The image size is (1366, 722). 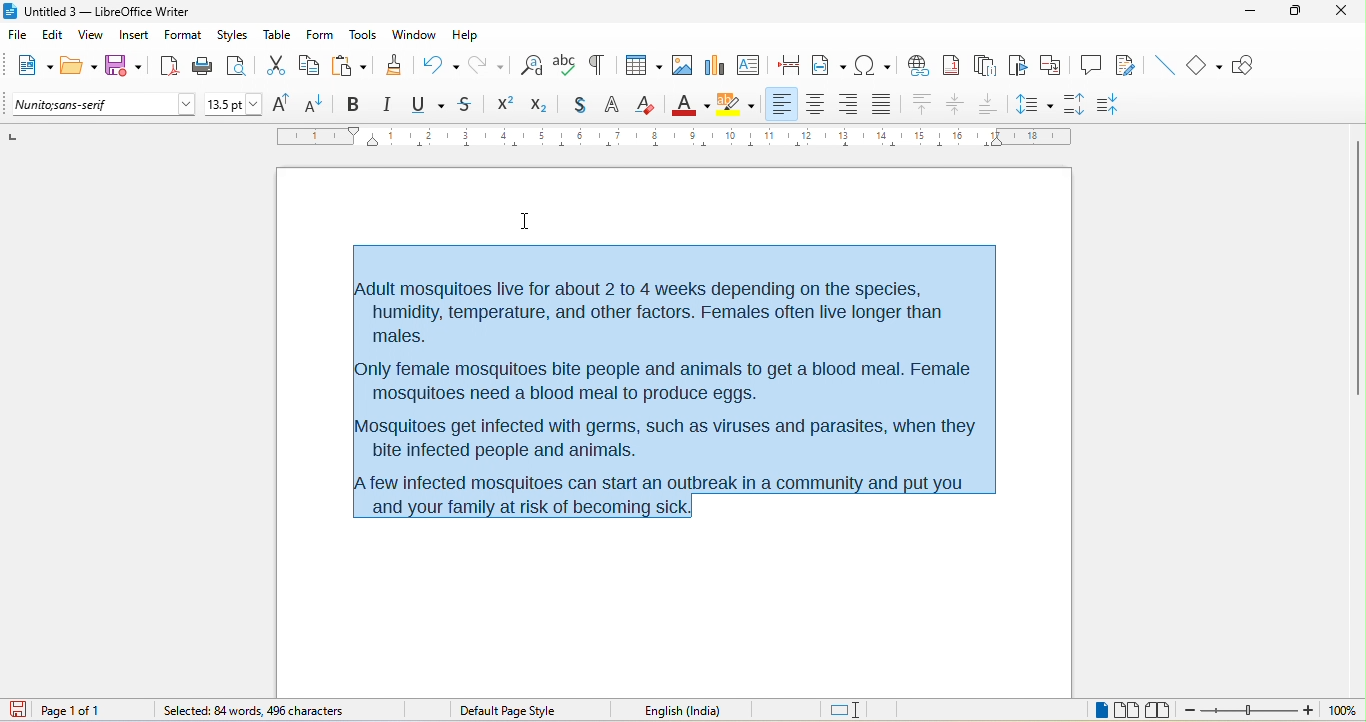 What do you see at coordinates (1091, 63) in the screenshot?
I see `comment` at bounding box center [1091, 63].